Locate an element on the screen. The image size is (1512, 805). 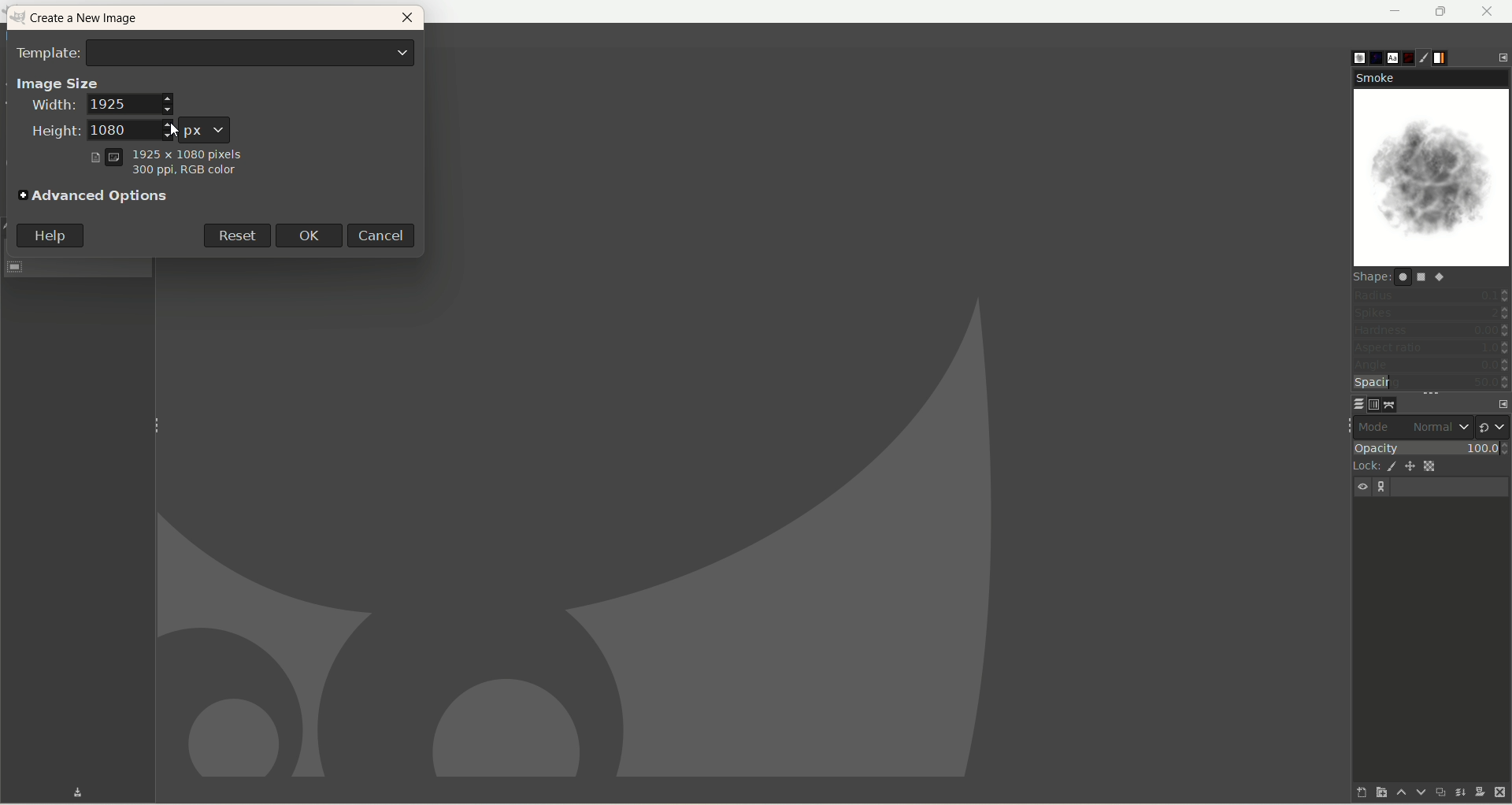
visibility is located at coordinates (1364, 487).